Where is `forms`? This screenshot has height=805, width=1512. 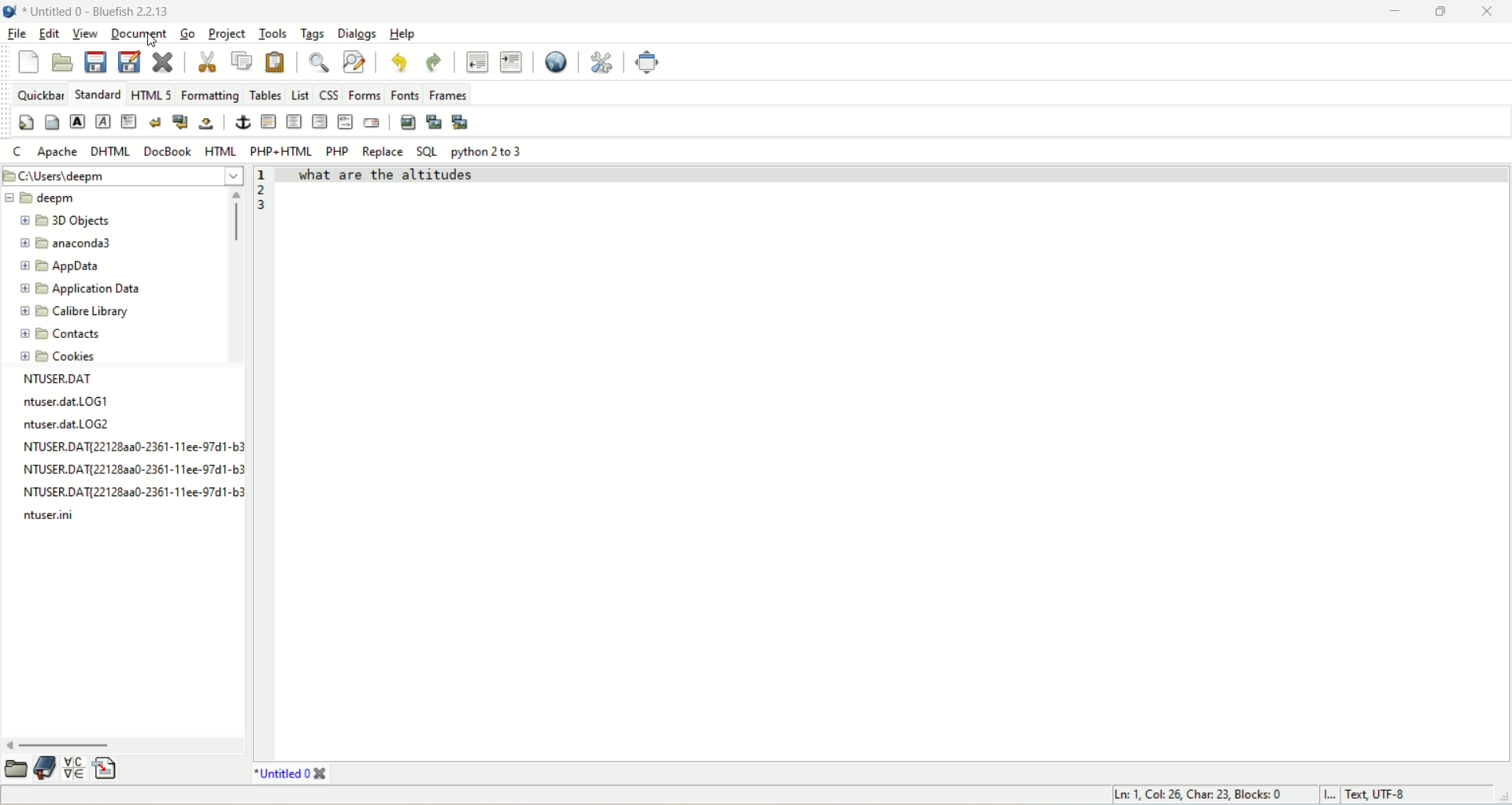 forms is located at coordinates (362, 94).